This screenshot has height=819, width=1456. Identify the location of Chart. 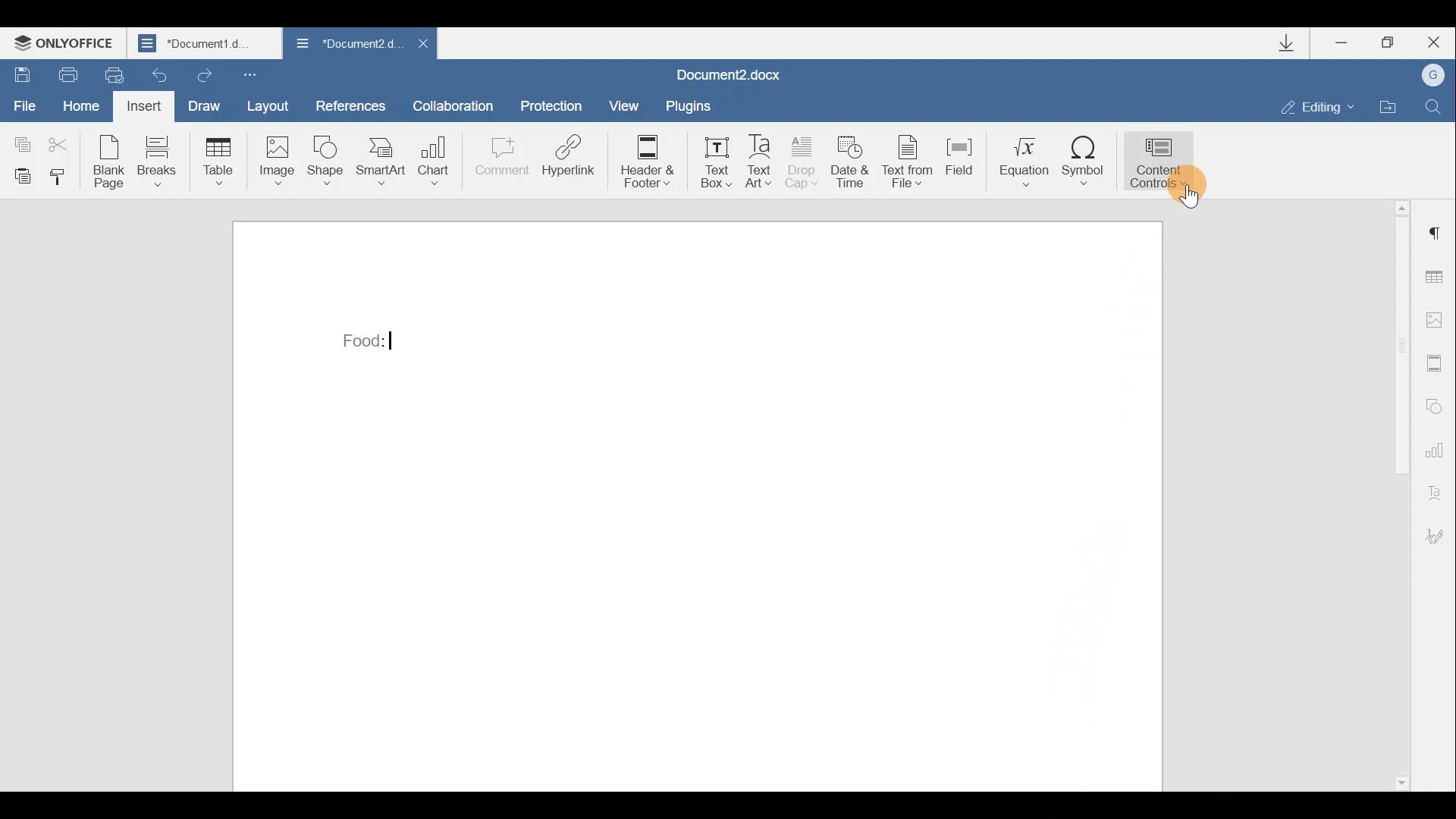
(437, 161).